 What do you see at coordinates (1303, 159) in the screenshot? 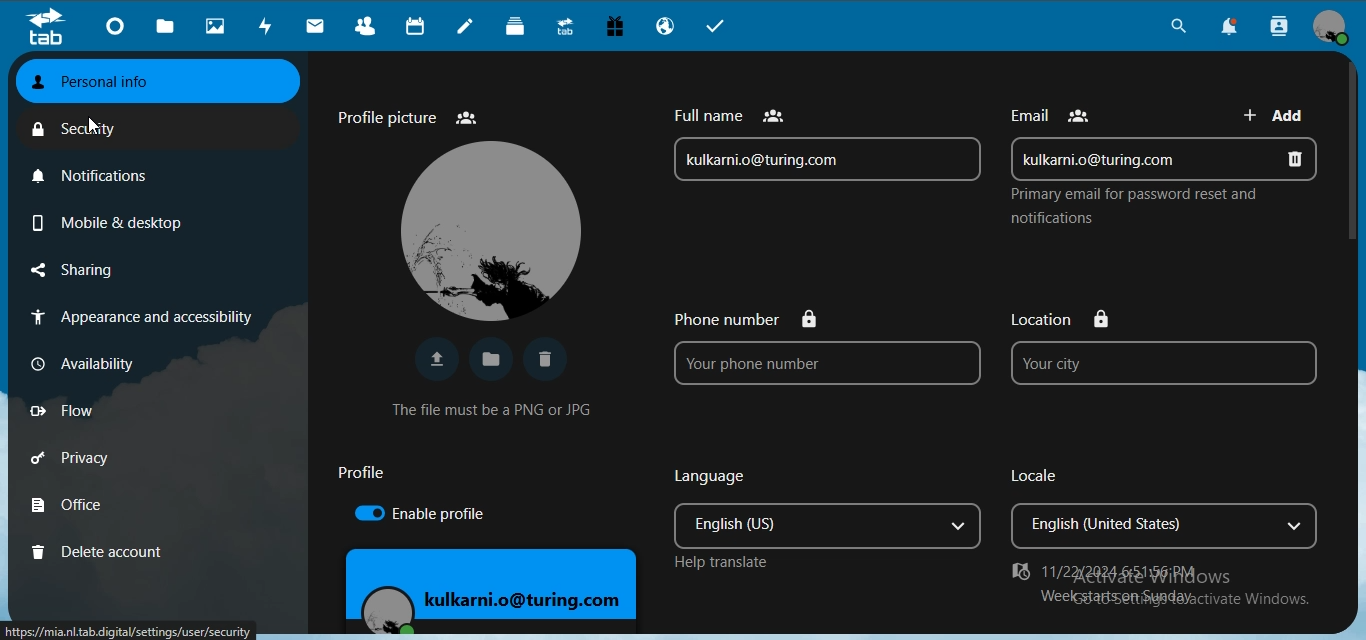
I see `remove` at bounding box center [1303, 159].